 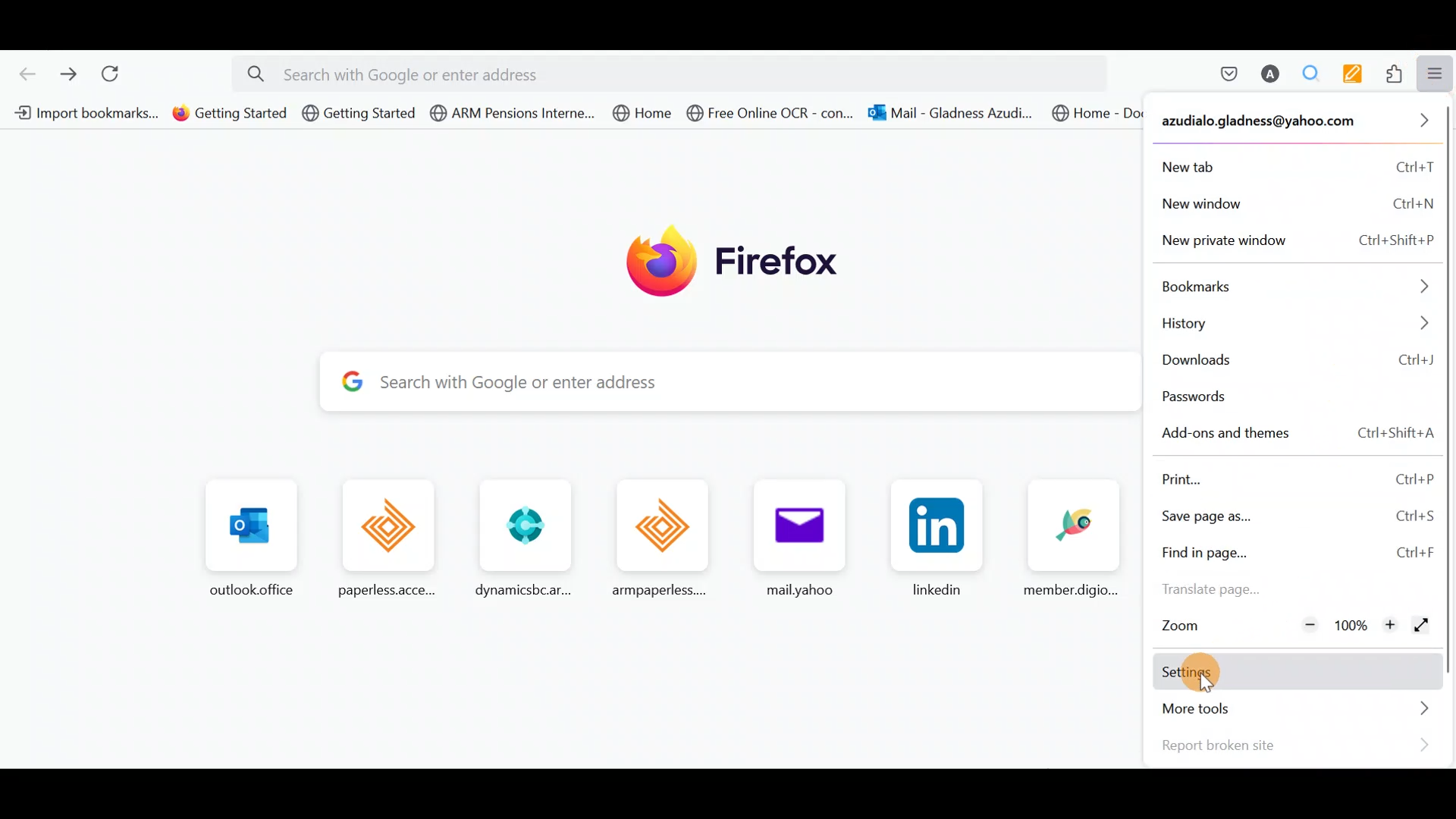 What do you see at coordinates (742, 256) in the screenshot?
I see `firefox` at bounding box center [742, 256].